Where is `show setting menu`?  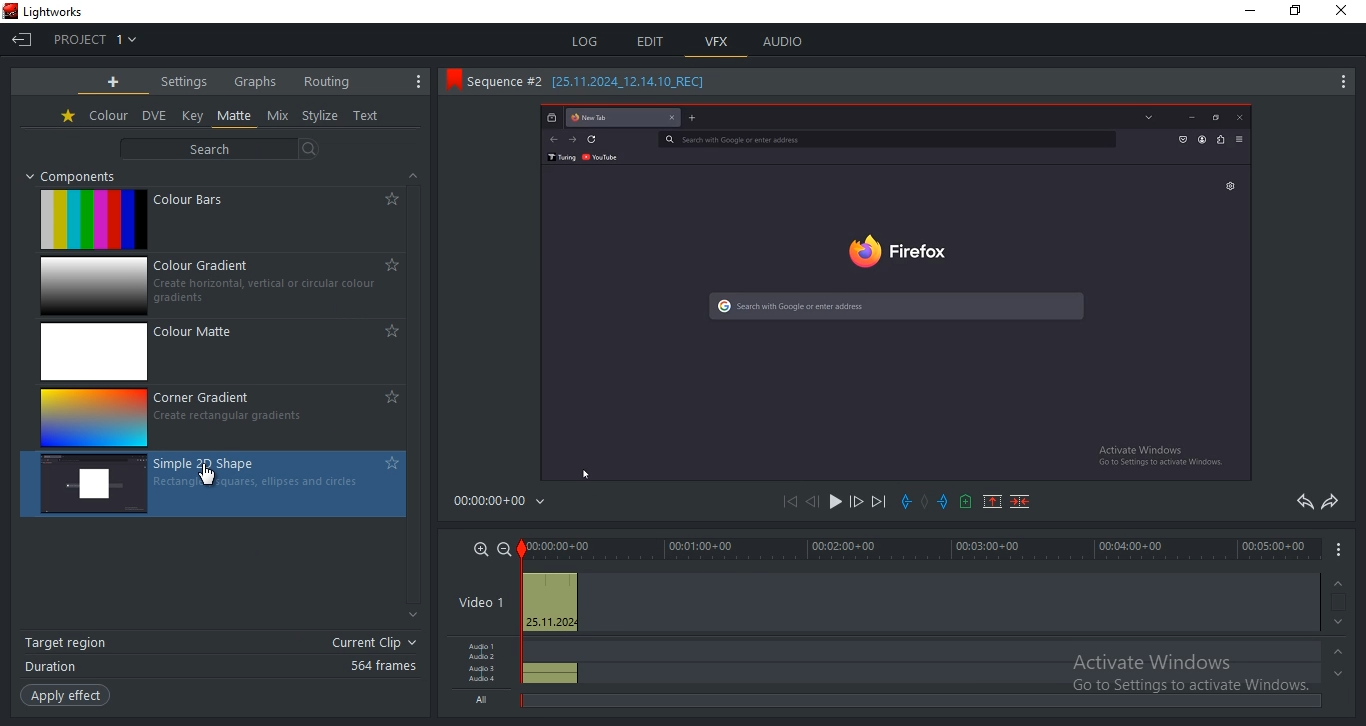
show setting menu is located at coordinates (420, 81).